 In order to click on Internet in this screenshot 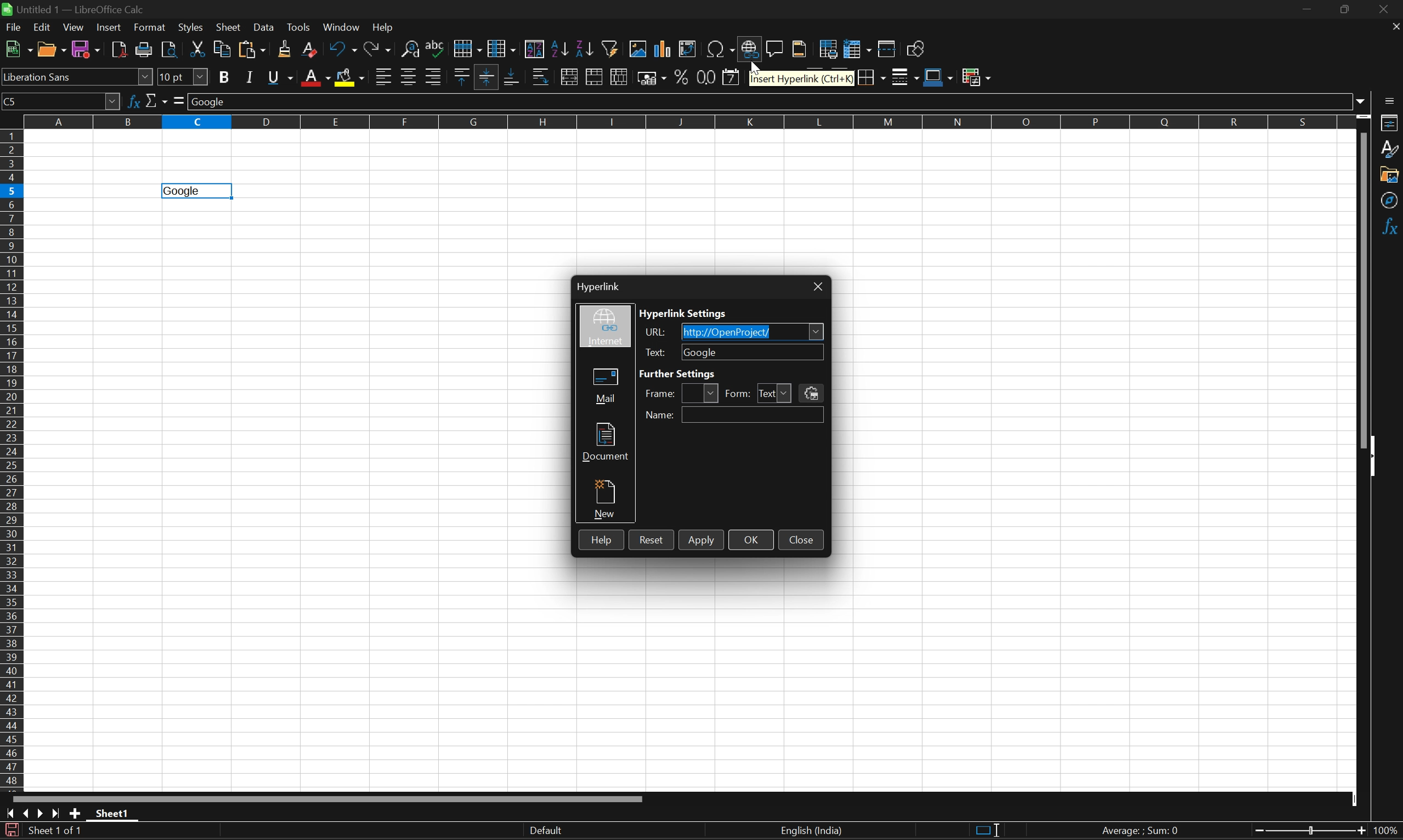, I will do `click(604, 329)`.